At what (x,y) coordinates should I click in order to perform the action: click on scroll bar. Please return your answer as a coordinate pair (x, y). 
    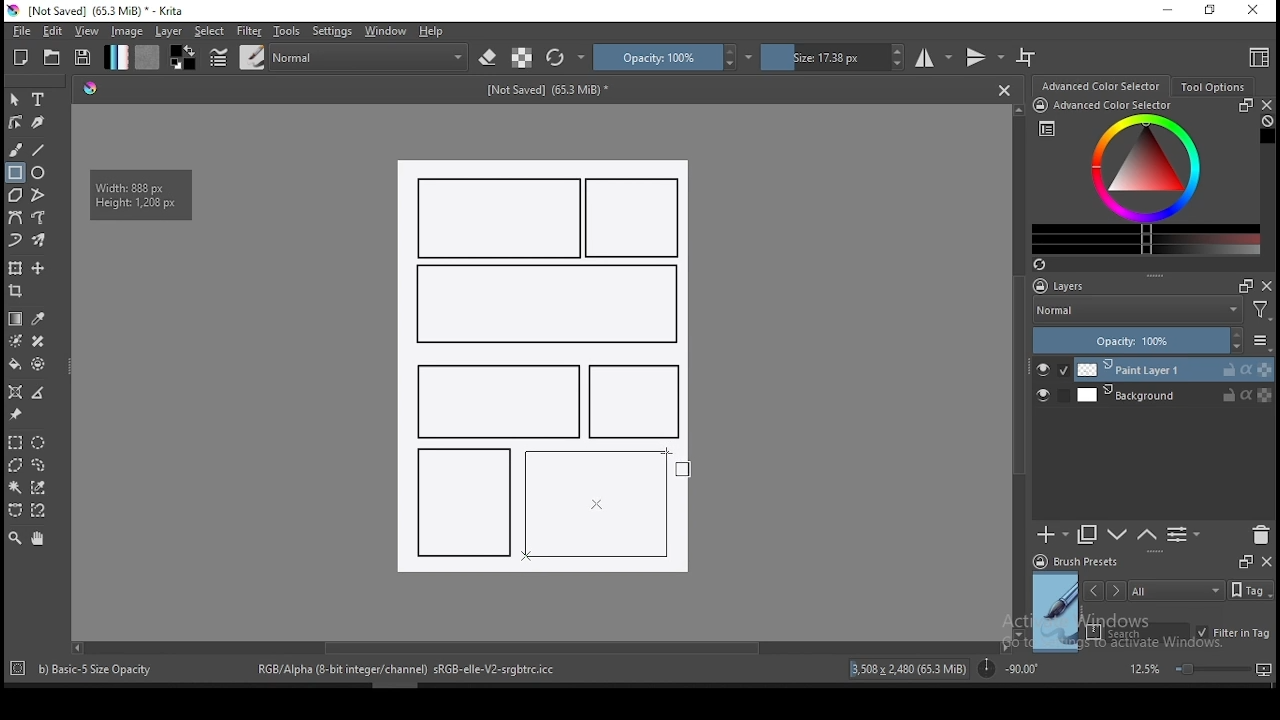
    Looking at the image, I should click on (1020, 370).